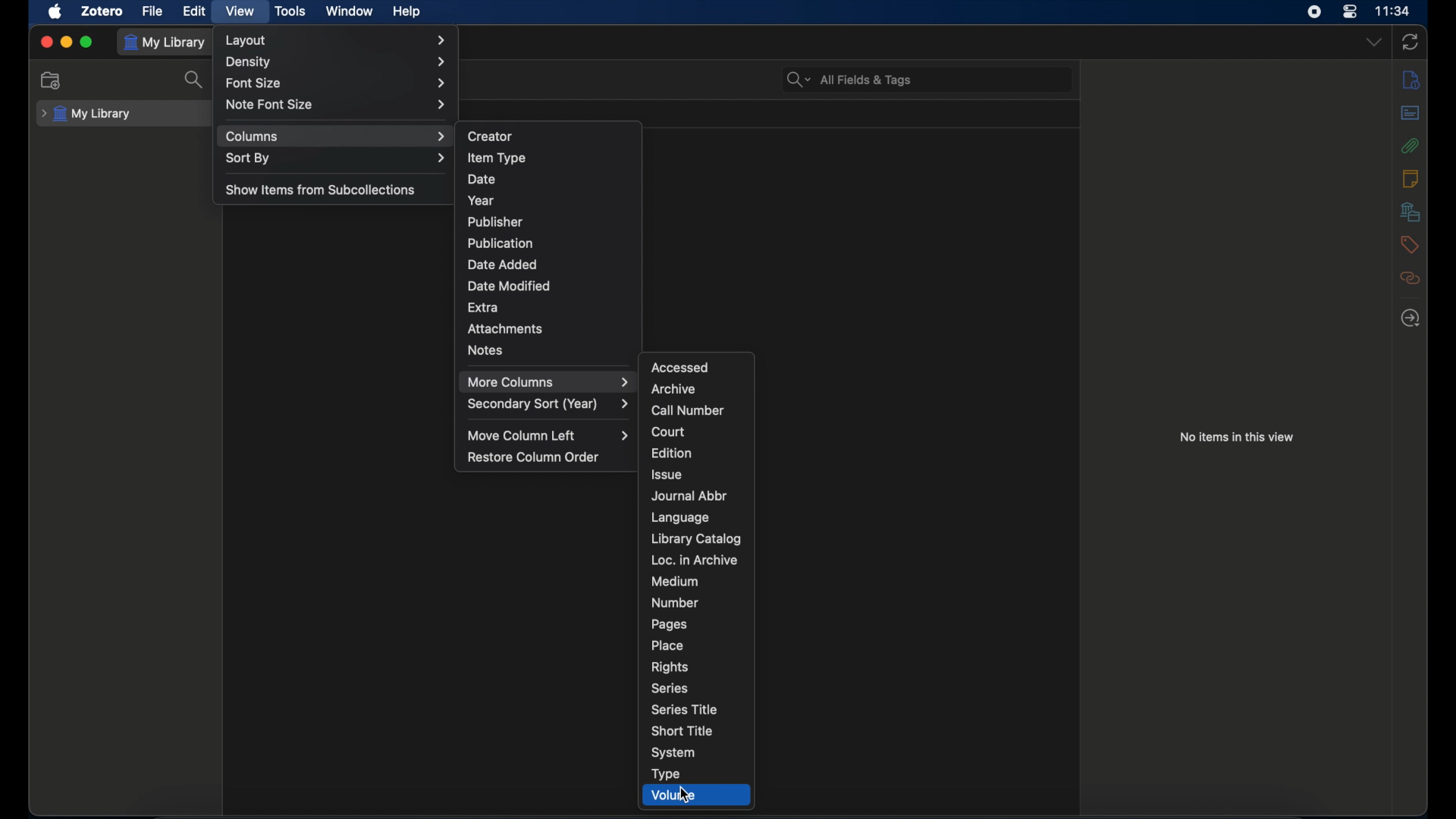  I want to click on court, so click(667, 431).